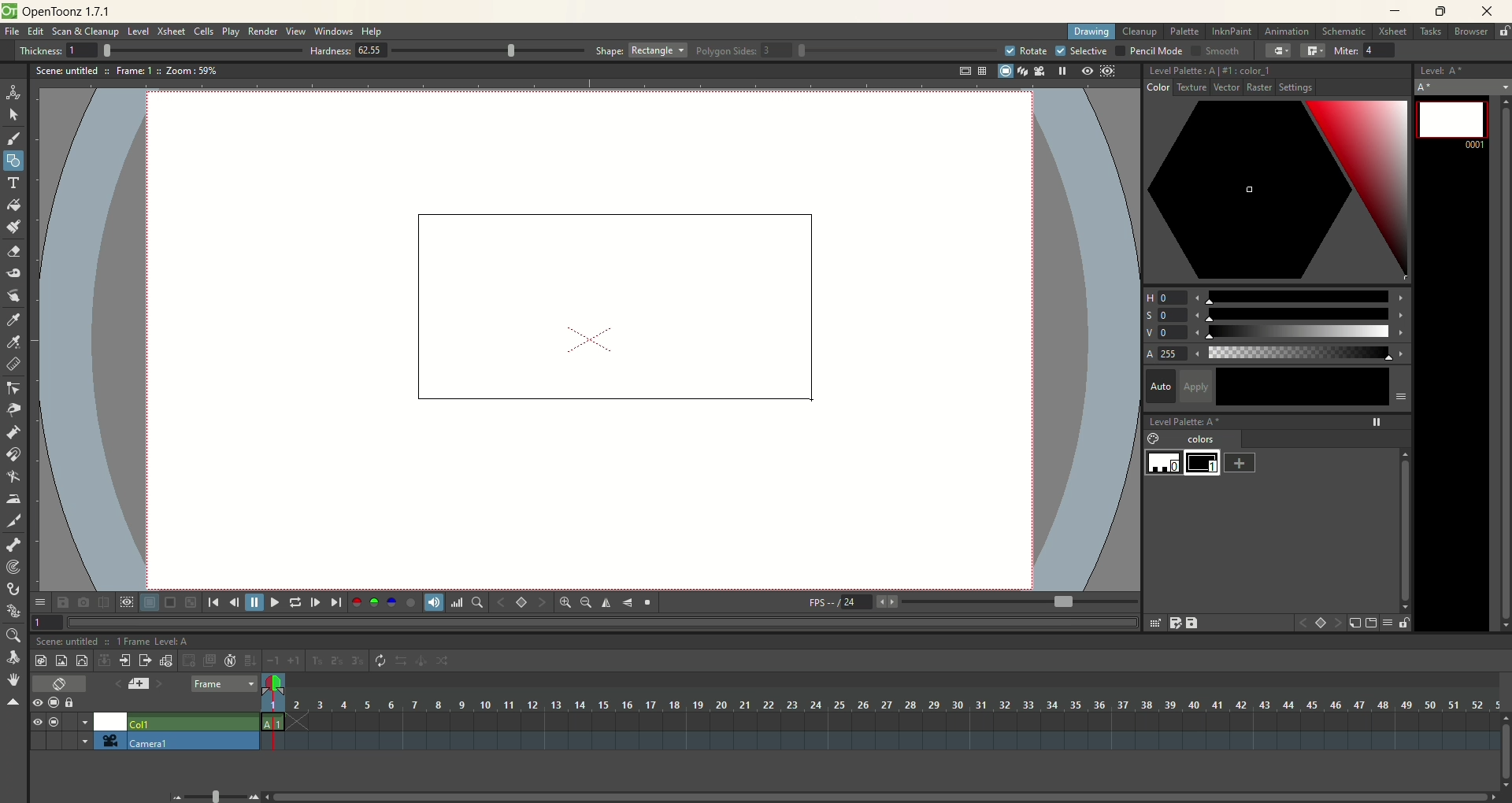 The width and height of the screenshot is (1512, 803). What do you see at coordinates (1154, 623) in the screenshot?
I see `delete` at bounding box center [1154, 623].